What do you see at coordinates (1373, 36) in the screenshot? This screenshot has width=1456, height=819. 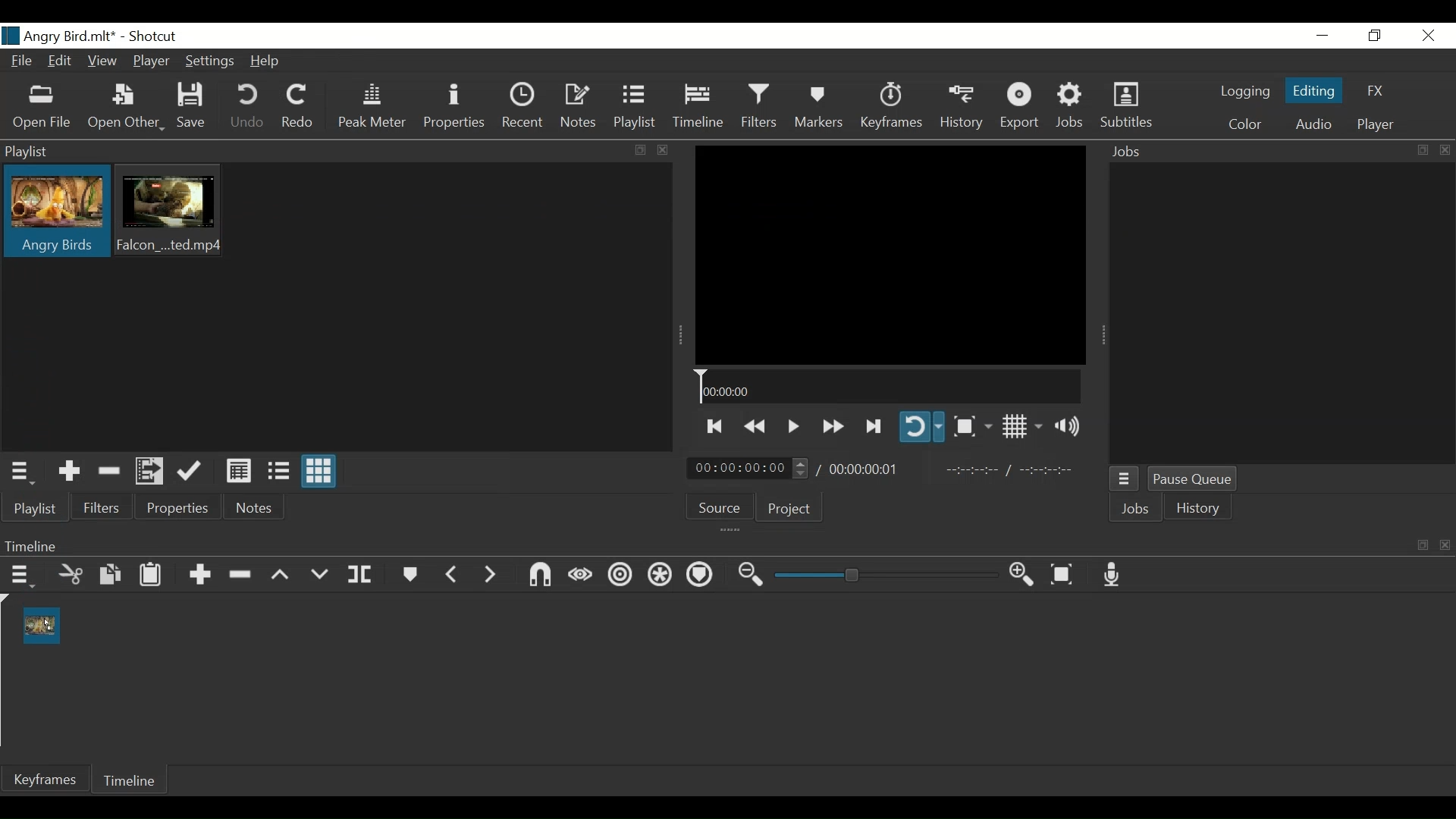 I see `Restore` at bounding box center [1373, 36].